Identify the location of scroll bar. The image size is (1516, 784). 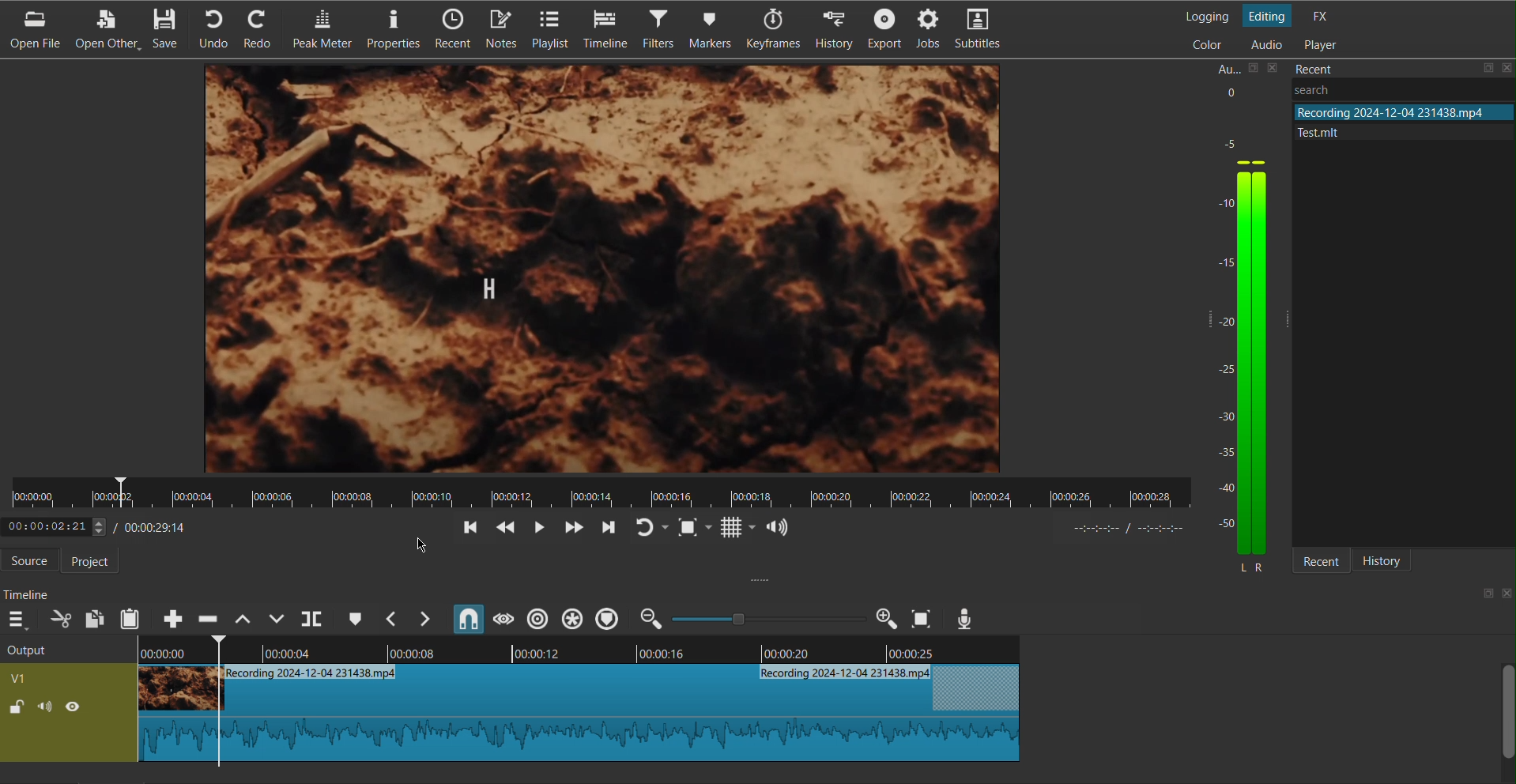
(1507, 709).